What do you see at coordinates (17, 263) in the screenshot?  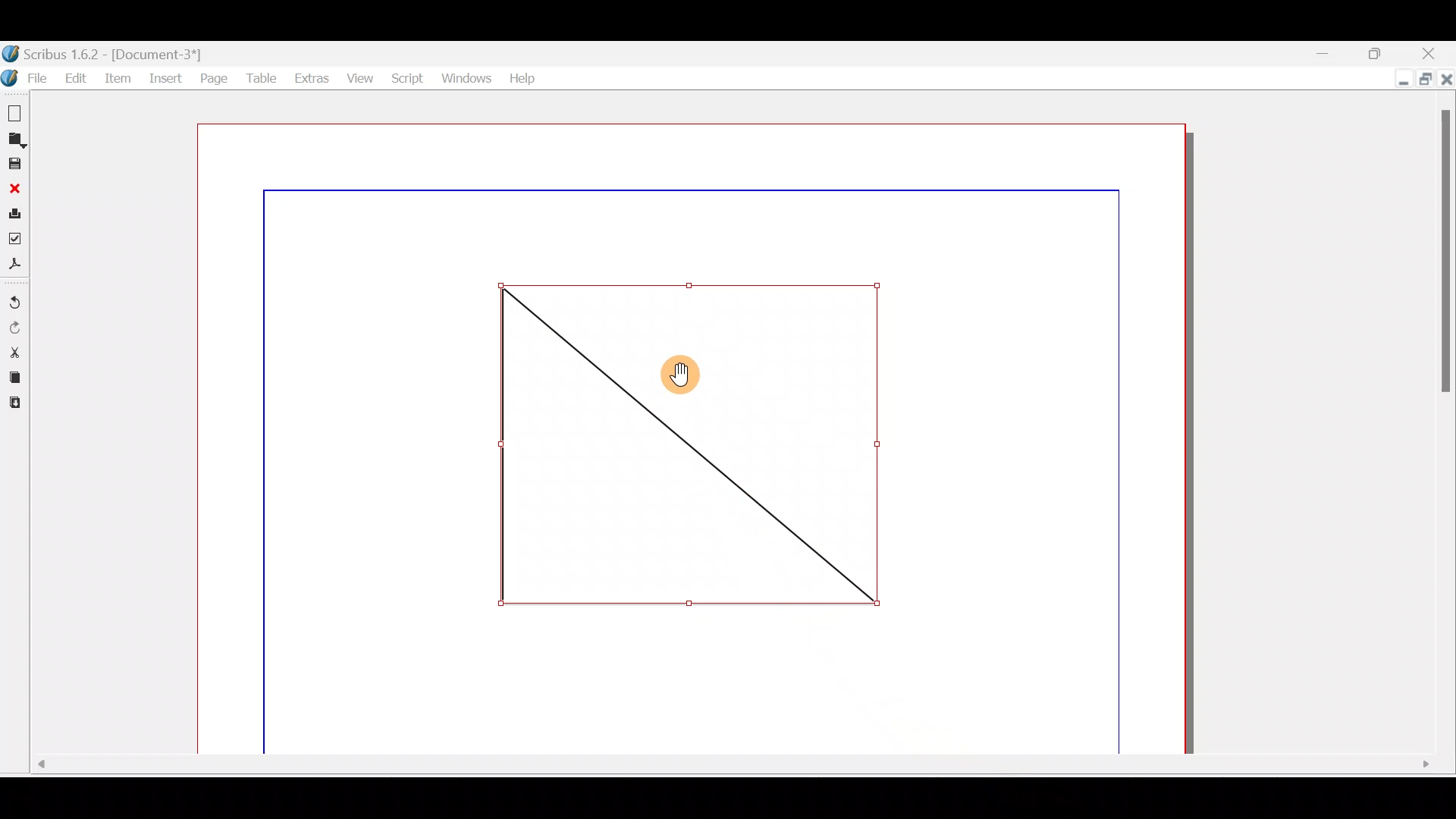 I see `Save as PDF` at bounding box center [17, 263].